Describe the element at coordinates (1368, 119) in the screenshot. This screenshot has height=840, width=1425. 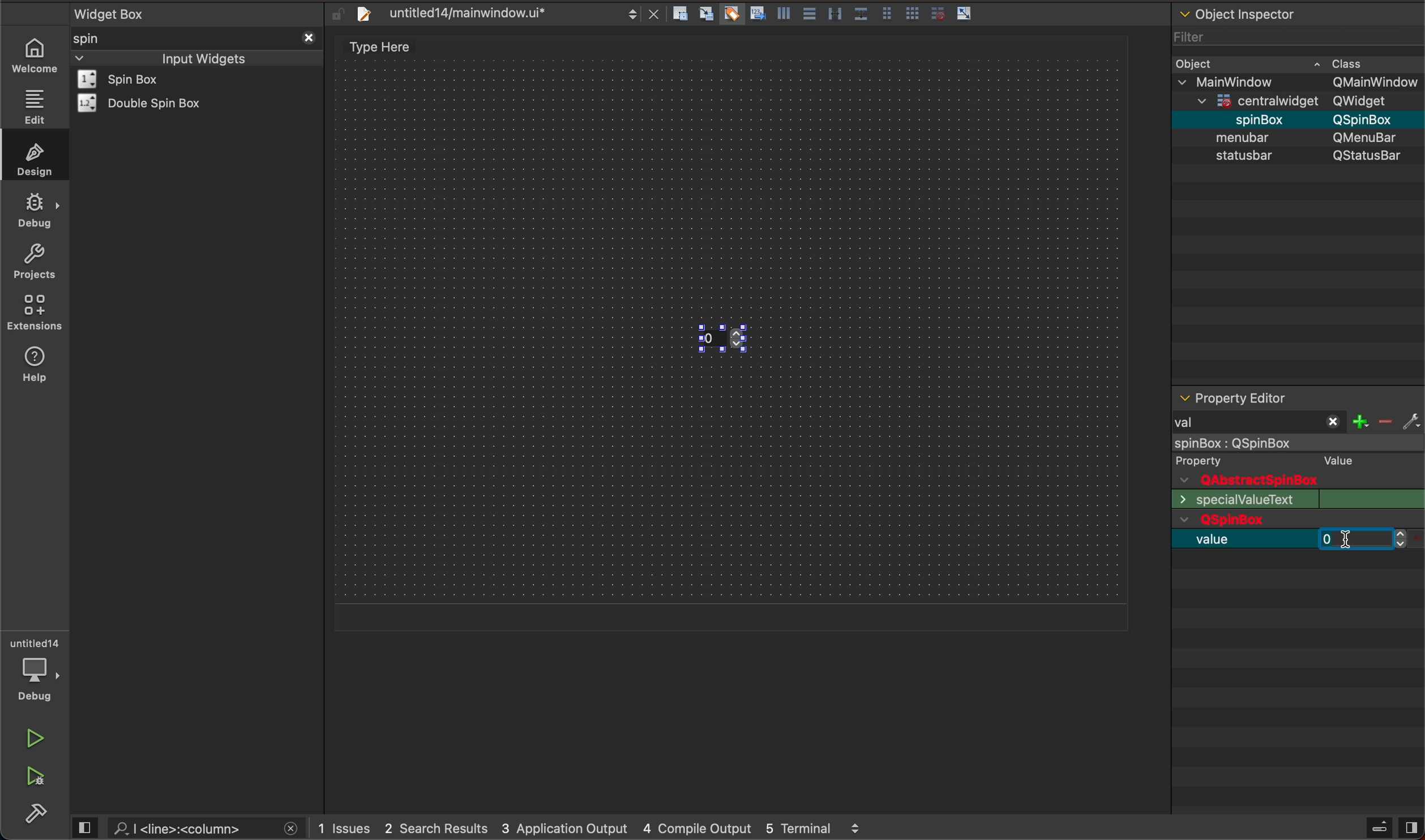
I see `` at that location.